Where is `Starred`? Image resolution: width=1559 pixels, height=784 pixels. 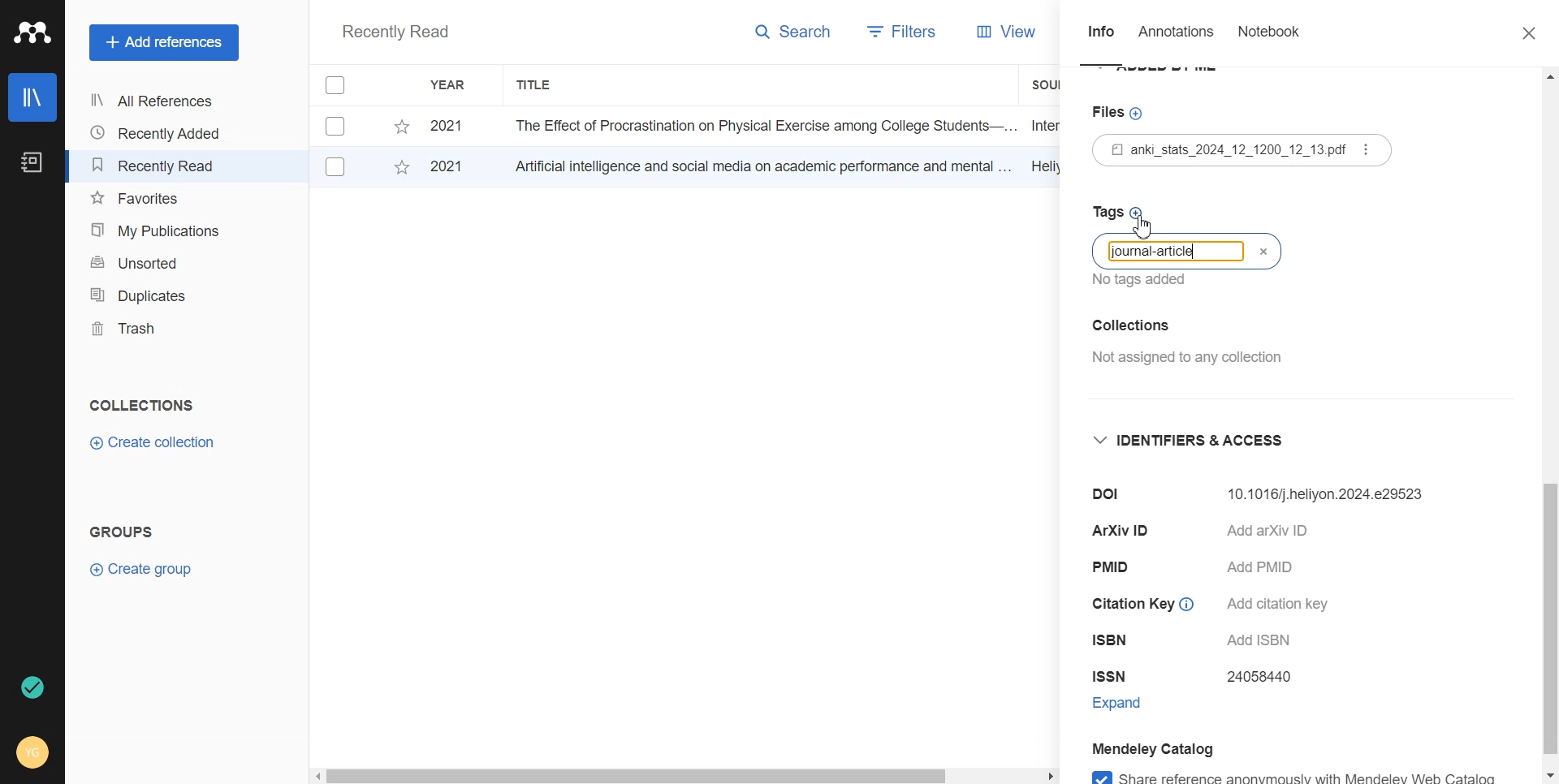 Starred is located at coordinates (401, 127).